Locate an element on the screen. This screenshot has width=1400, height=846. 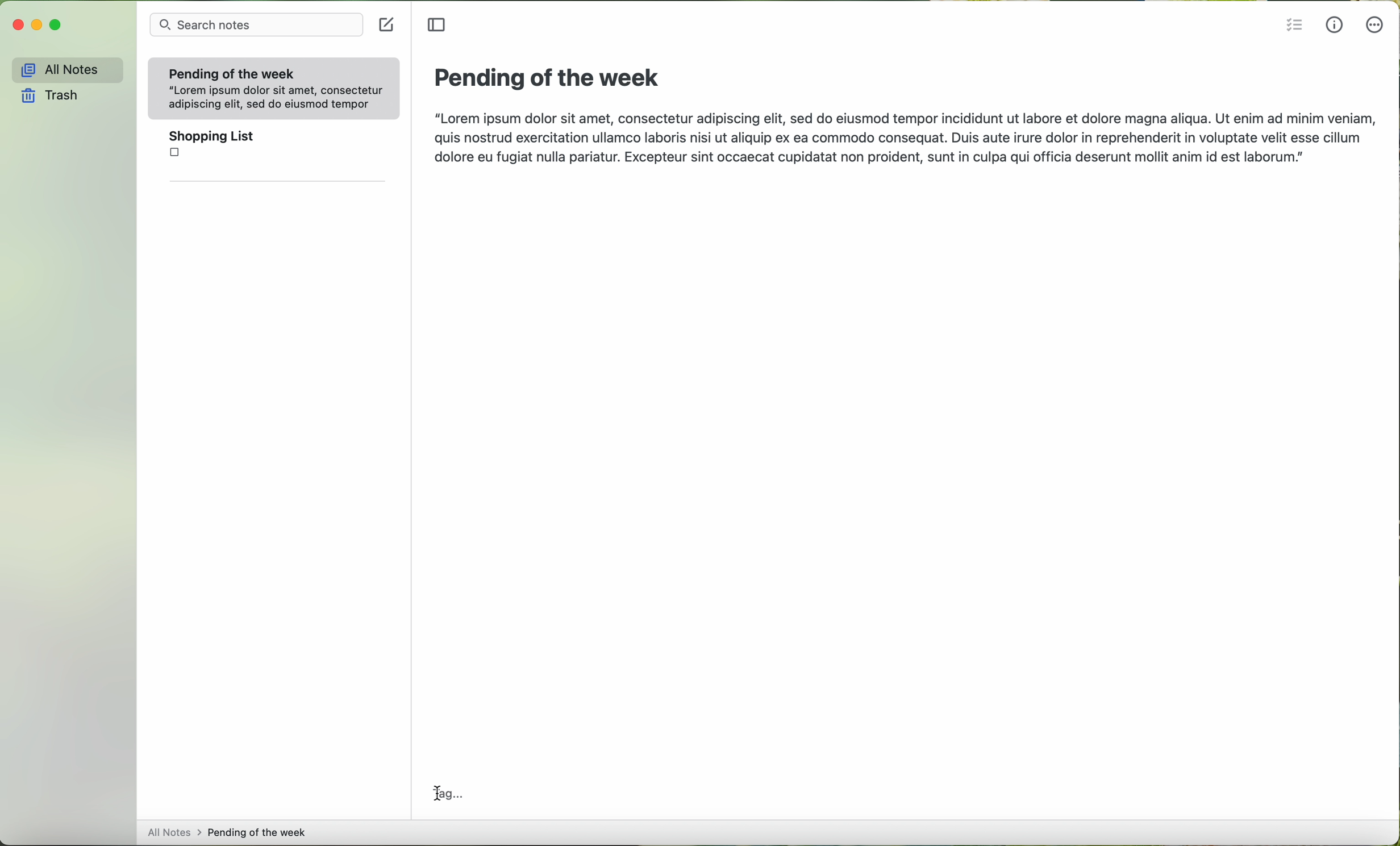
metrics is located at coordinates (1336, 26).